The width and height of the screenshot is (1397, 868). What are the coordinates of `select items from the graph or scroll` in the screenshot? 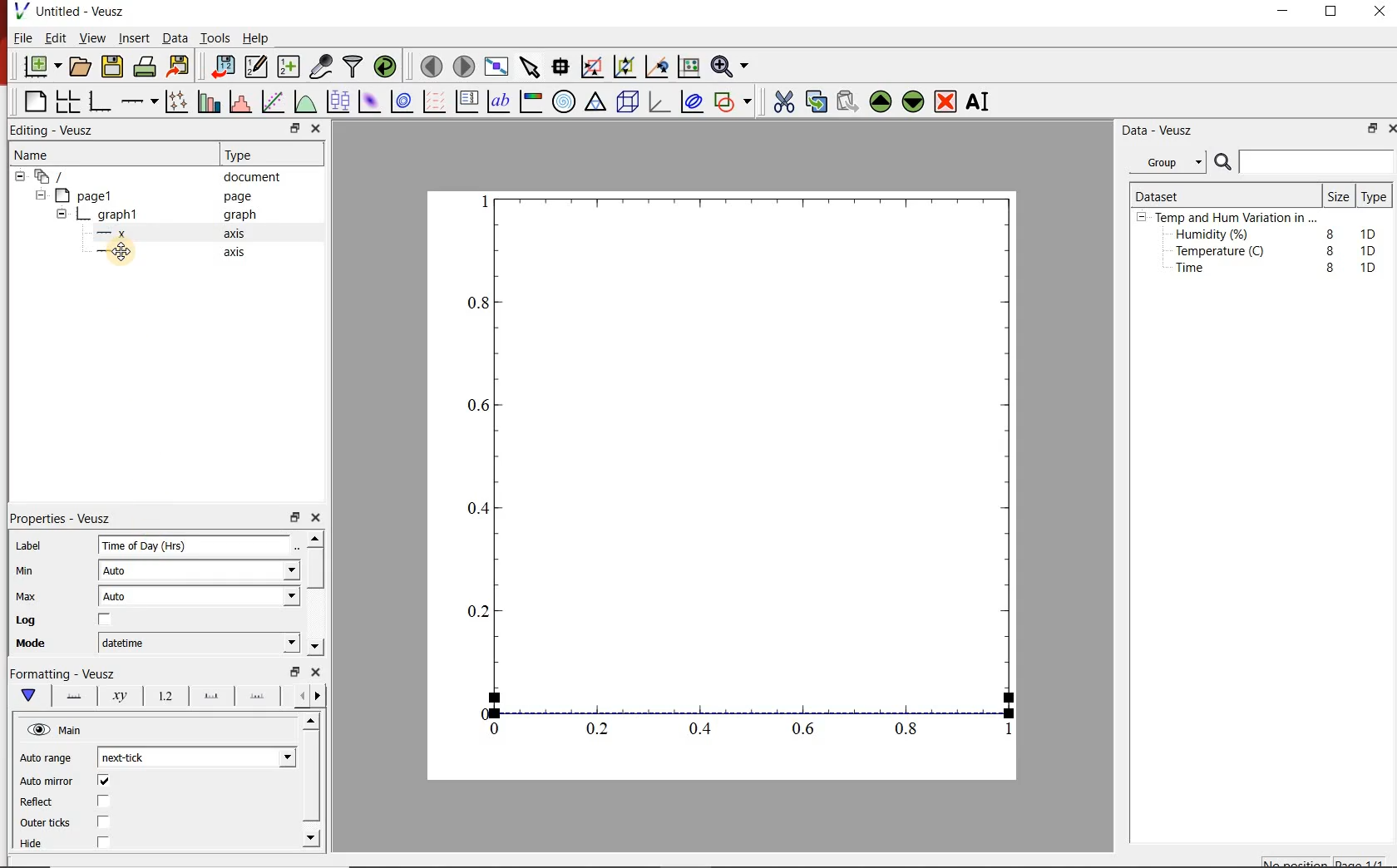 It's located at (531, 69).